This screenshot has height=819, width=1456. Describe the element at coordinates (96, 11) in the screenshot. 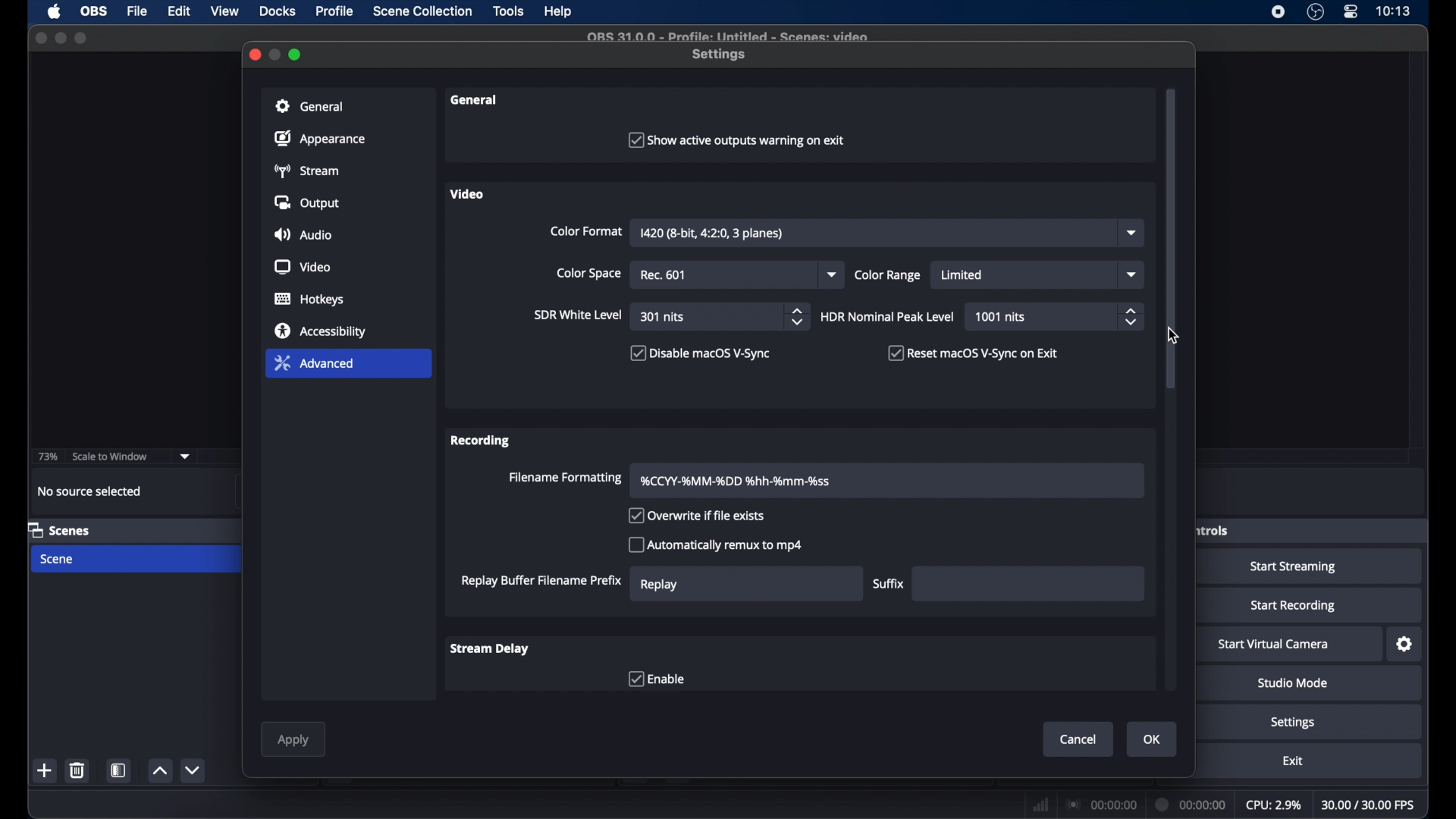

I see `obs` at that location.